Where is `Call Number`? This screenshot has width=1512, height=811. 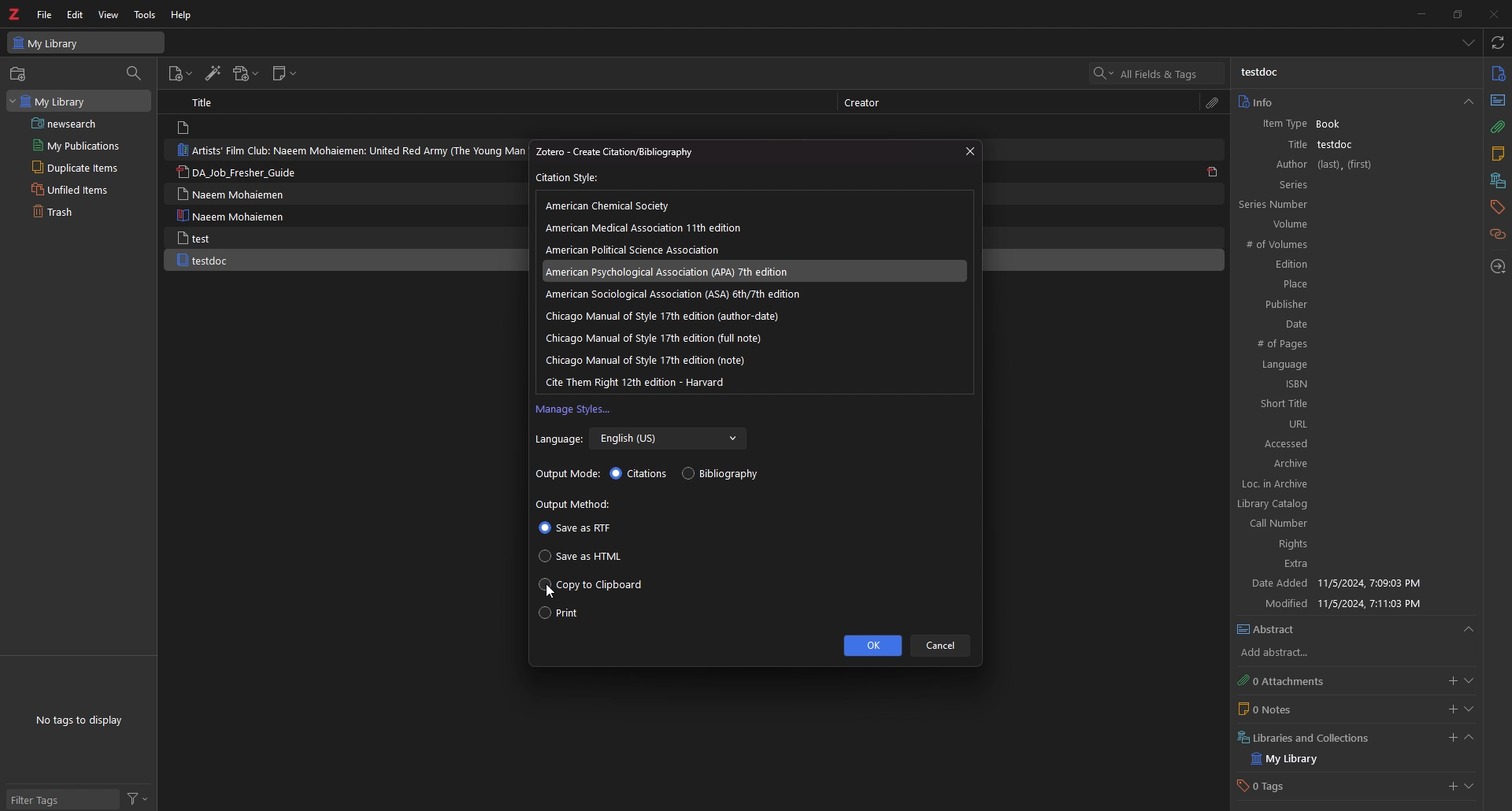
Call Number is located at coordinates (1341, 524).